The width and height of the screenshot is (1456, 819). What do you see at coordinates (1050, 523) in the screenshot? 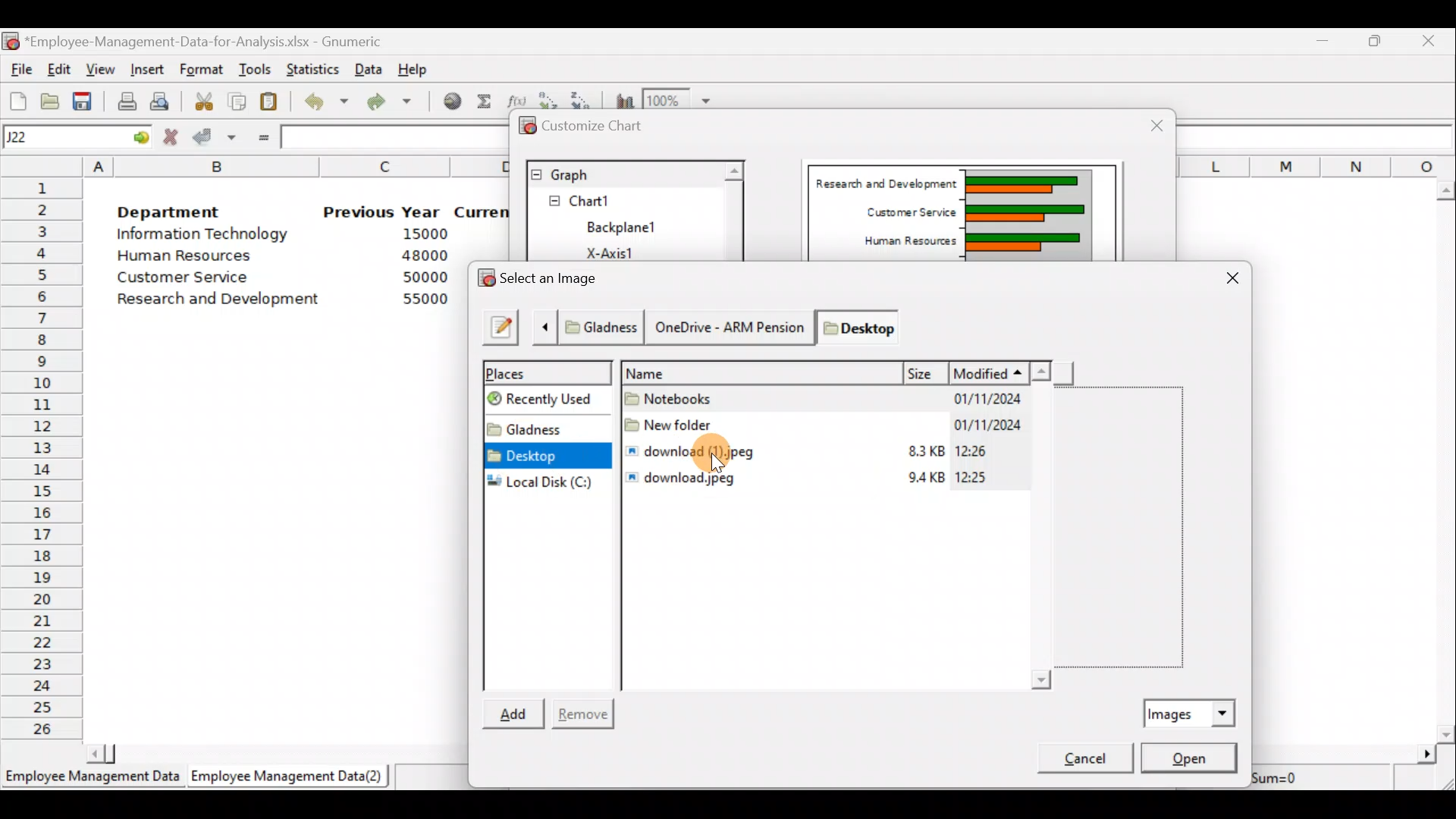
I see `Scroll bar` at bounding box center [1050, 523].